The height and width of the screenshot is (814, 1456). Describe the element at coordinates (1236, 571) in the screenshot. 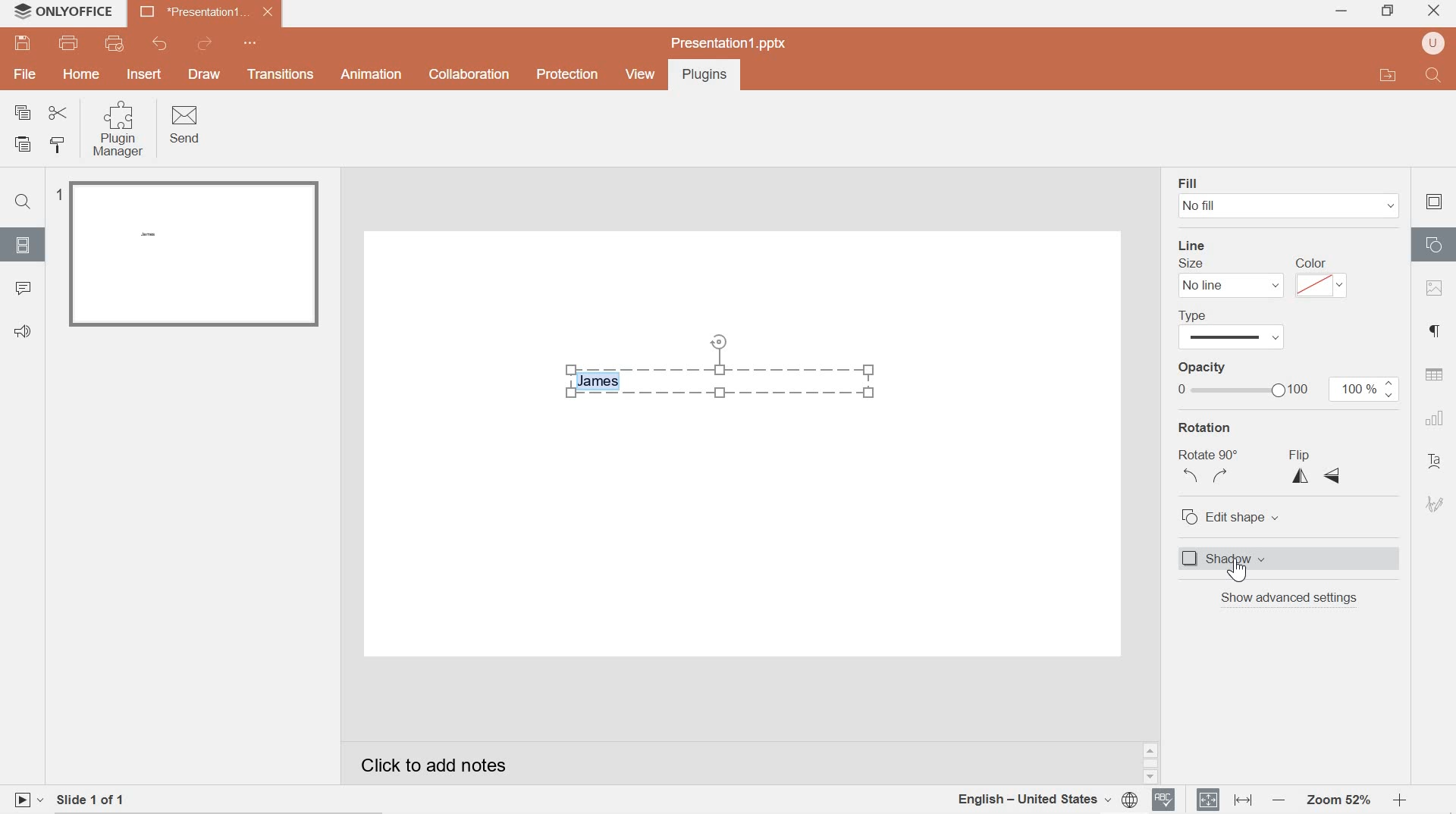

I see `cursor` at that location.